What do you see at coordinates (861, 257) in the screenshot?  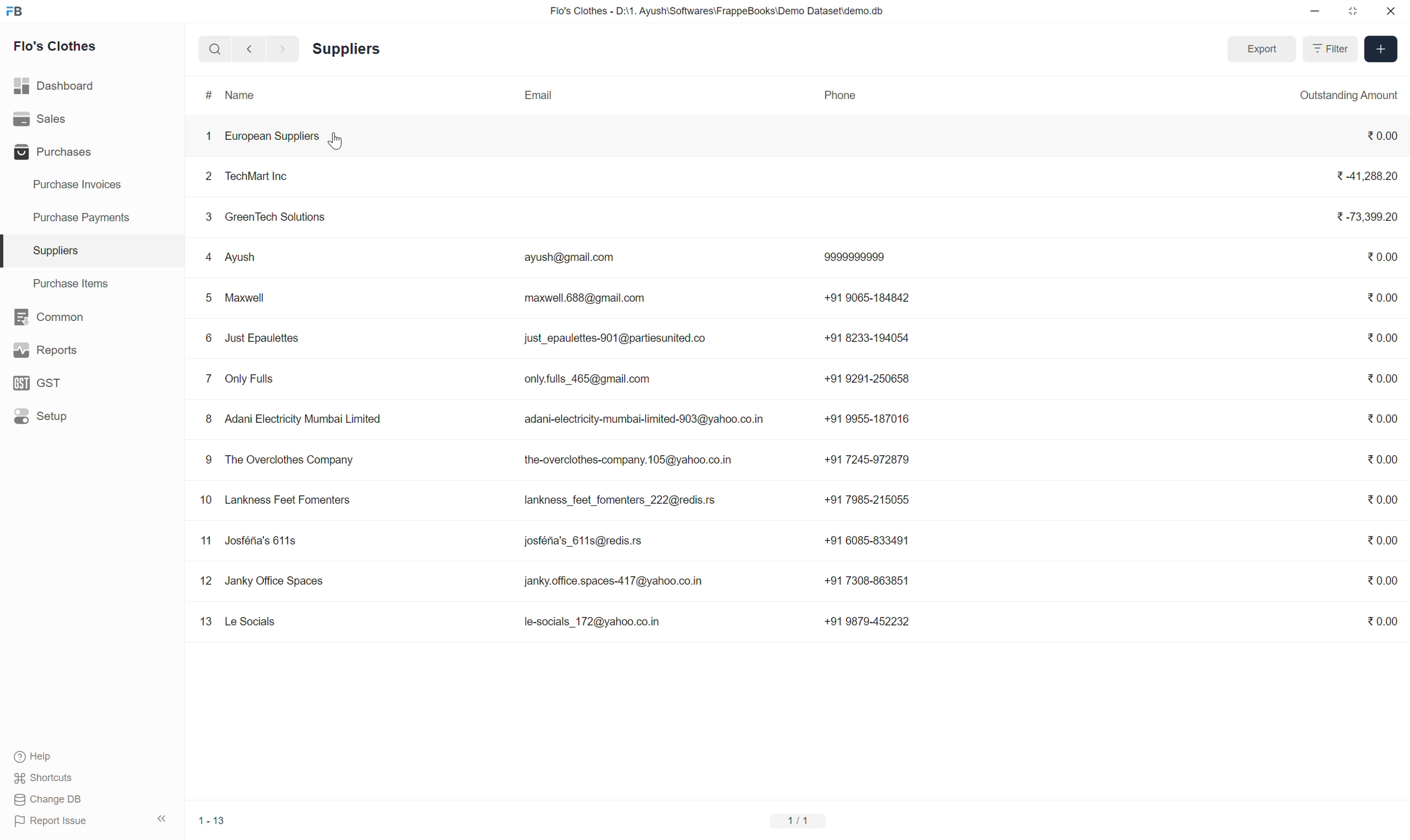 I see `9999999999` at bounding box center [861, 257].